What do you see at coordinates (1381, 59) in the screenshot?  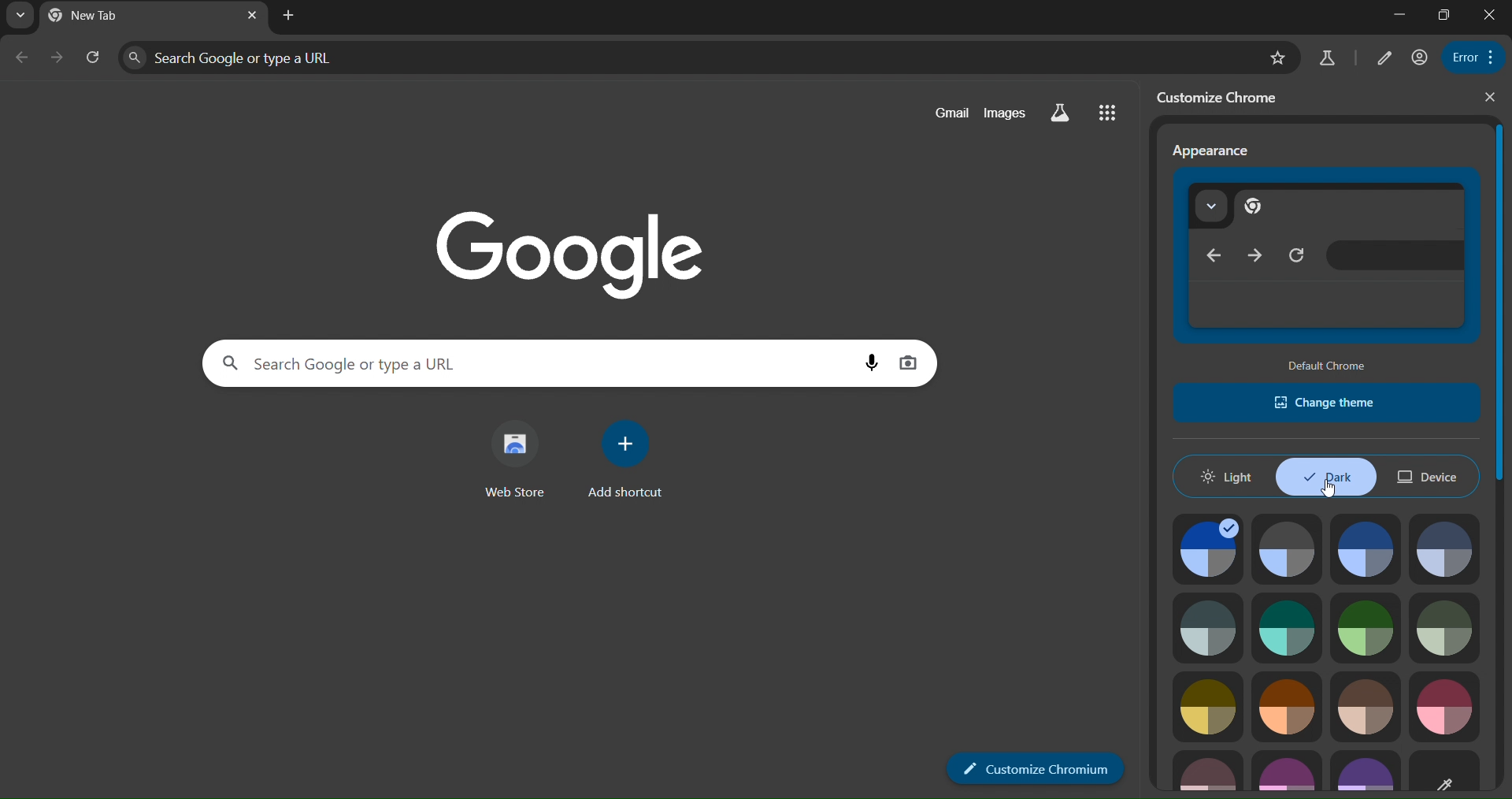 I see `customize chromium` at bounding box center [1381, 59].